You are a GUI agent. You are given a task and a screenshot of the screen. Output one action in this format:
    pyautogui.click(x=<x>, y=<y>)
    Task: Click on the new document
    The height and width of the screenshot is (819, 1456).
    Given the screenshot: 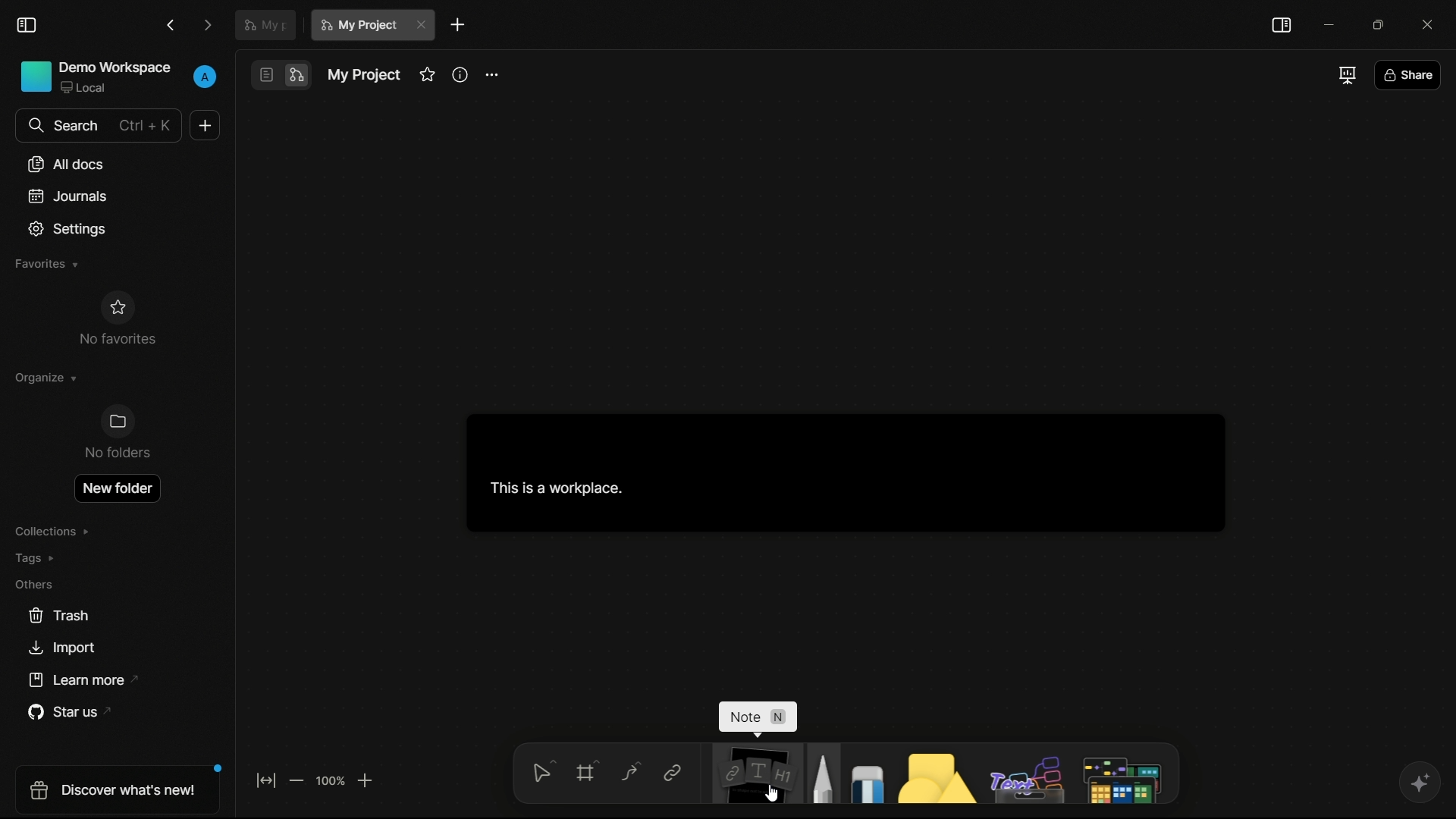 What is the action you would take?
    pyautogui.click(x=457, y=24)
    